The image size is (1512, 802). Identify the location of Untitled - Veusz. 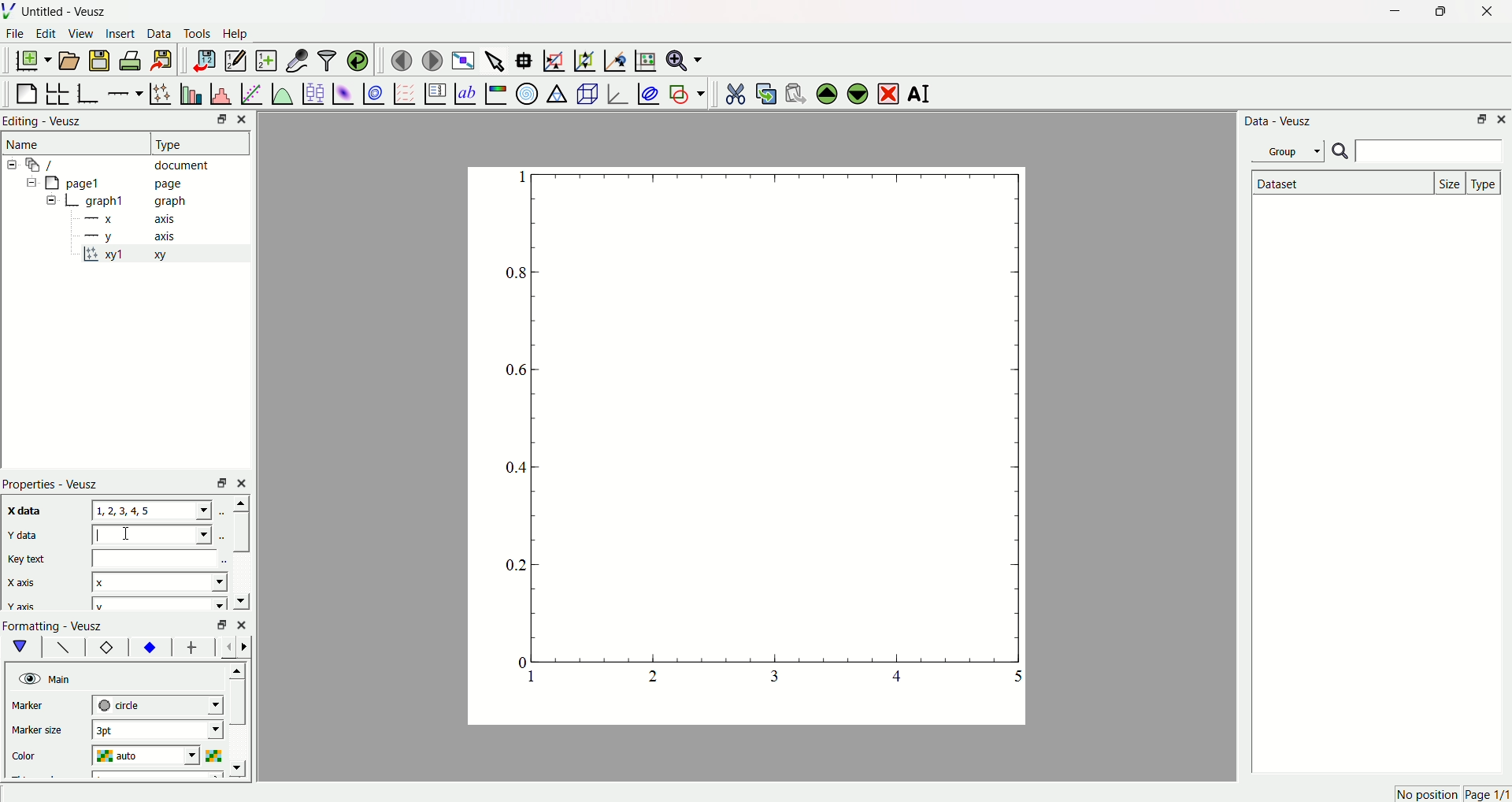
(67, 13).